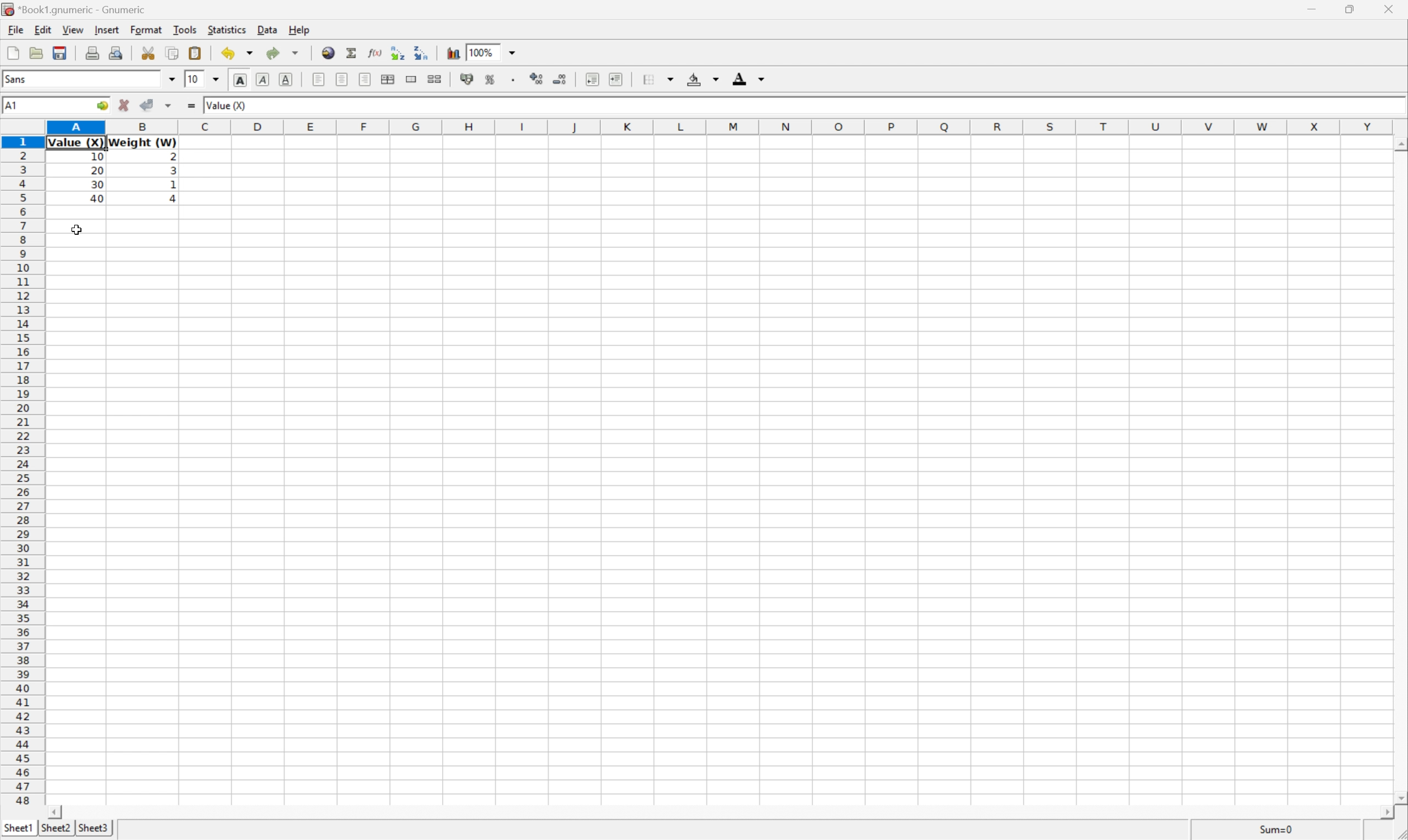 The width and height of the screenshot is (1408, 840). I want to click on Weight (W), so click(143, 142).